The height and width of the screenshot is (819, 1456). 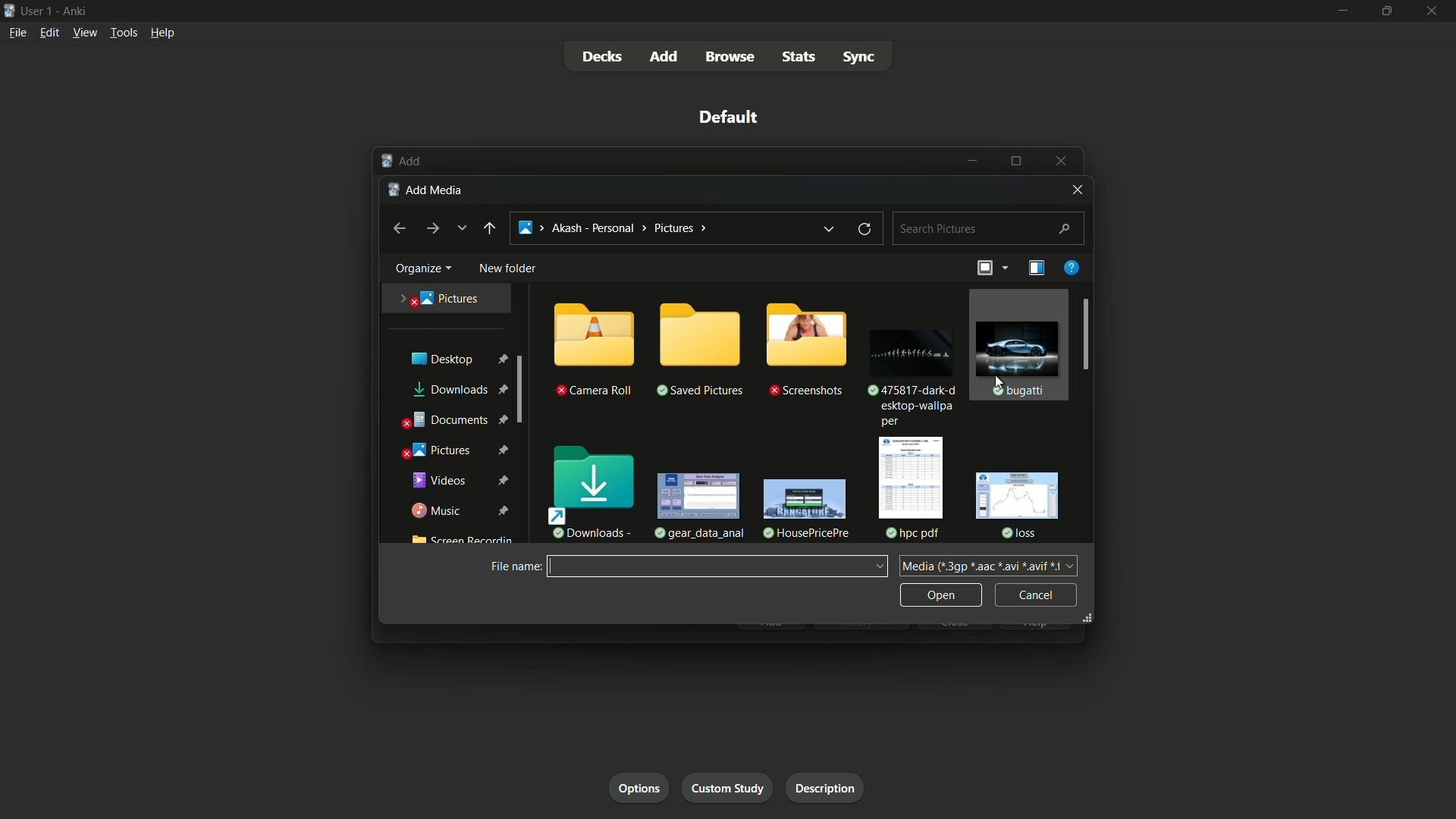 What do you see at coordinates (1018, 503) in the screenshot?
I see `file-6` at bounding box center [1018, 503].